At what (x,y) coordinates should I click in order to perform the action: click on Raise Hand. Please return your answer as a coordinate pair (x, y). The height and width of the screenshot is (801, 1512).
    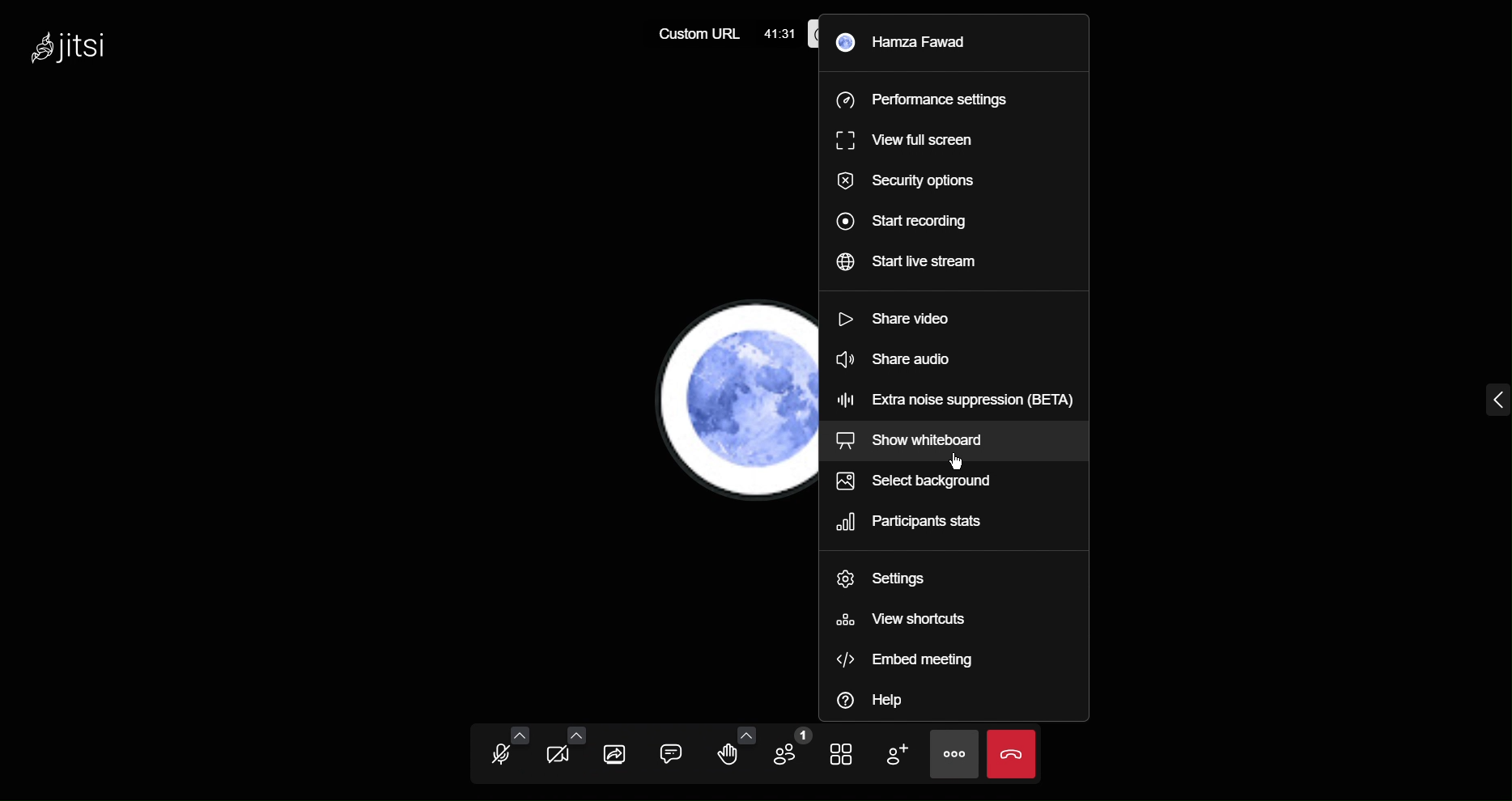
    Looking at the image, I should click on (732, 751).